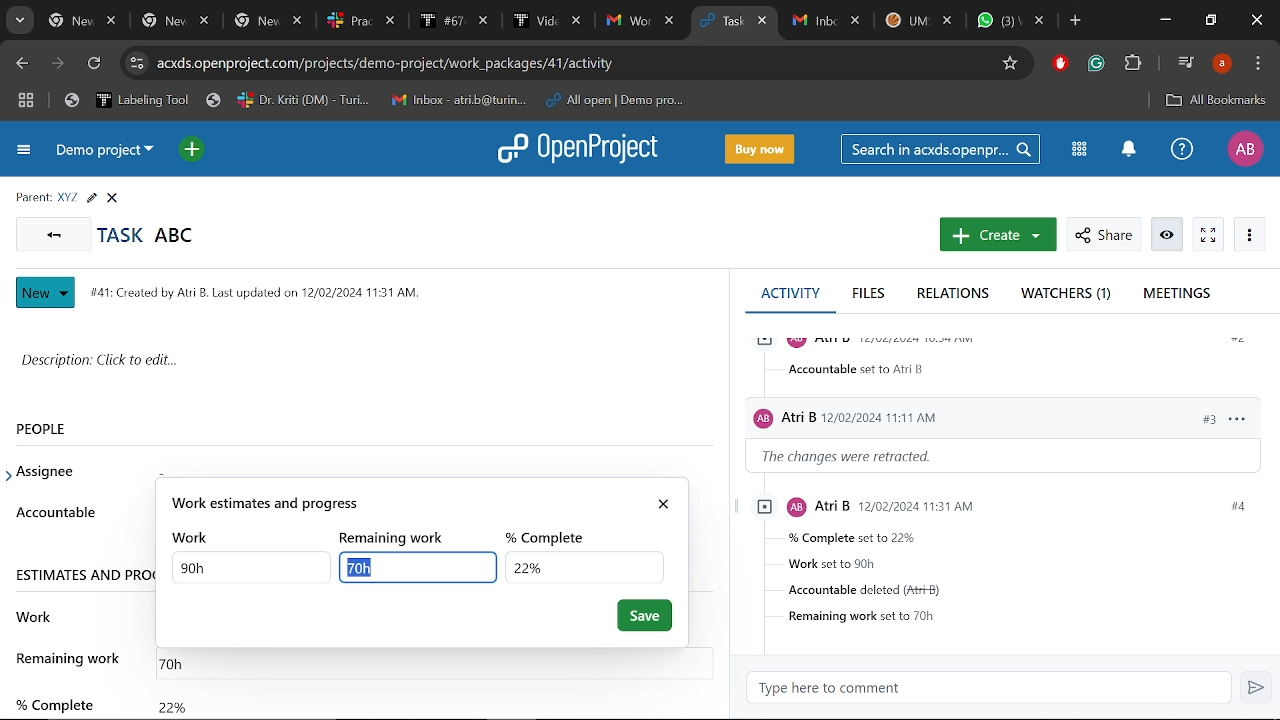 The image size is (1280, 720). What do you see at coordinates (943, 149) in the screenshot?
I see `Search ` at bounding box center [943, 149].